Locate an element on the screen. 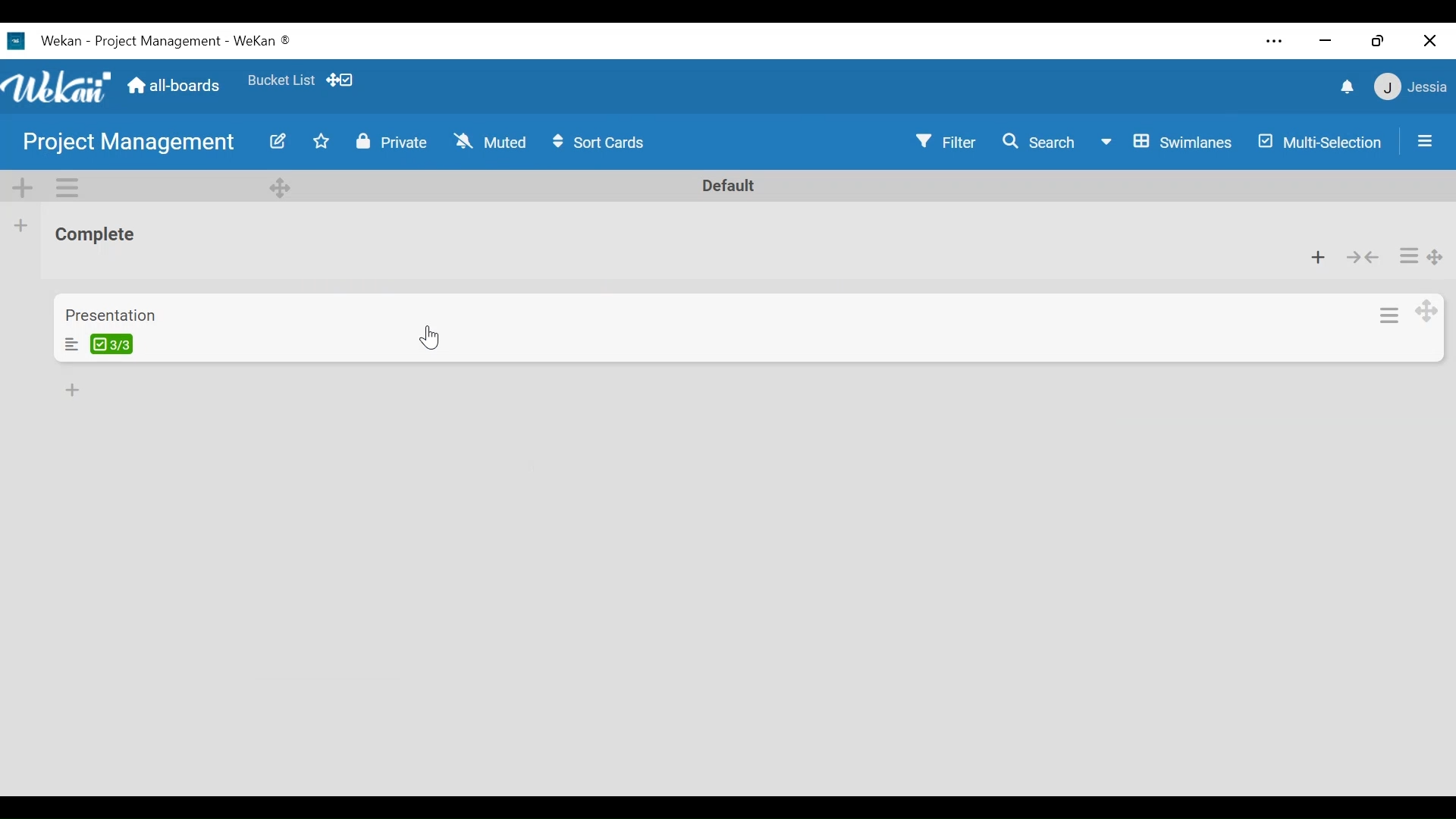  Cursor is located at coordinates (433, 337).